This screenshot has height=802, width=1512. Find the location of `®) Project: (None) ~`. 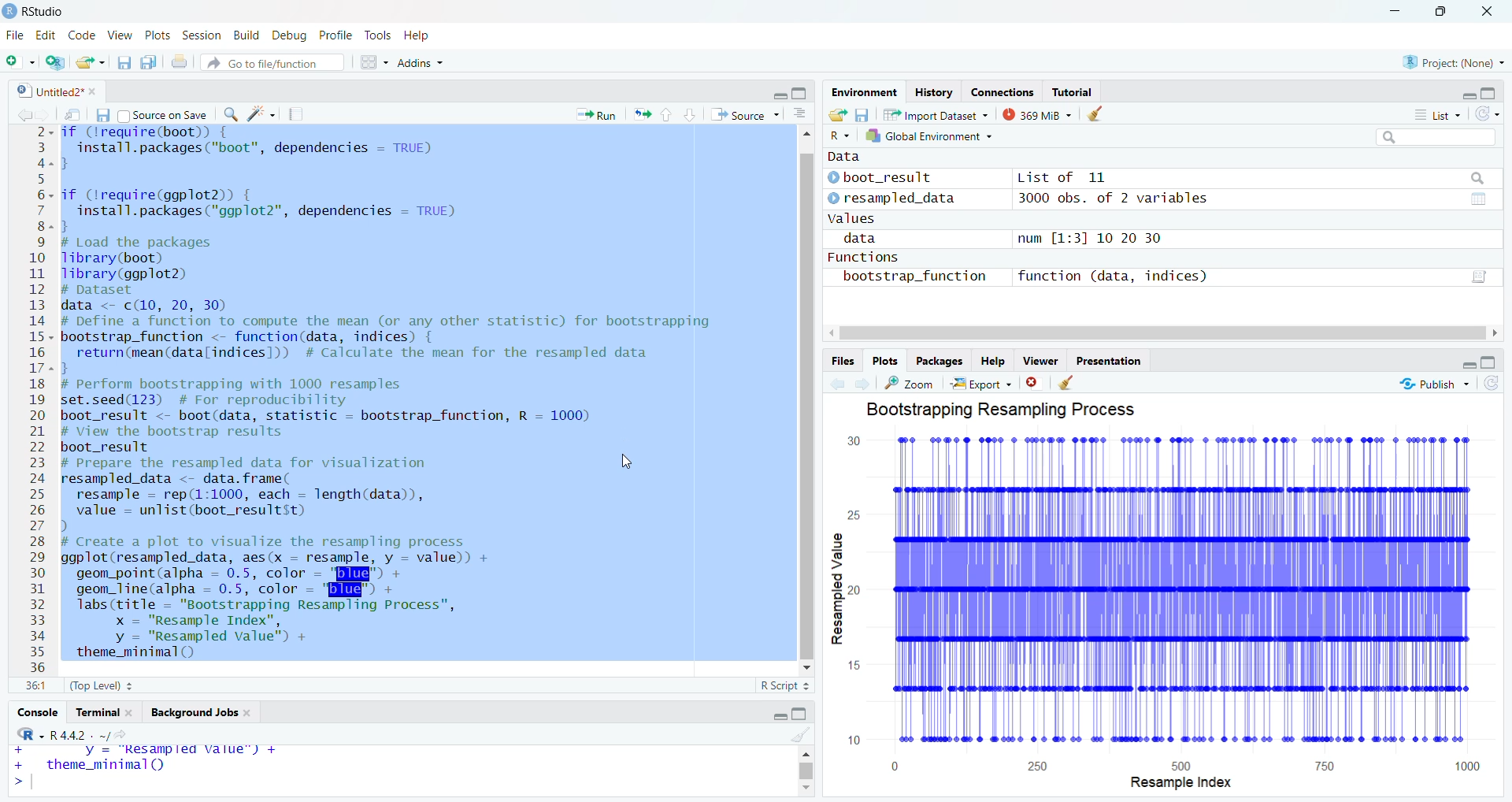

®) Project: (None) ~ is located at coordinates (1453, 61).